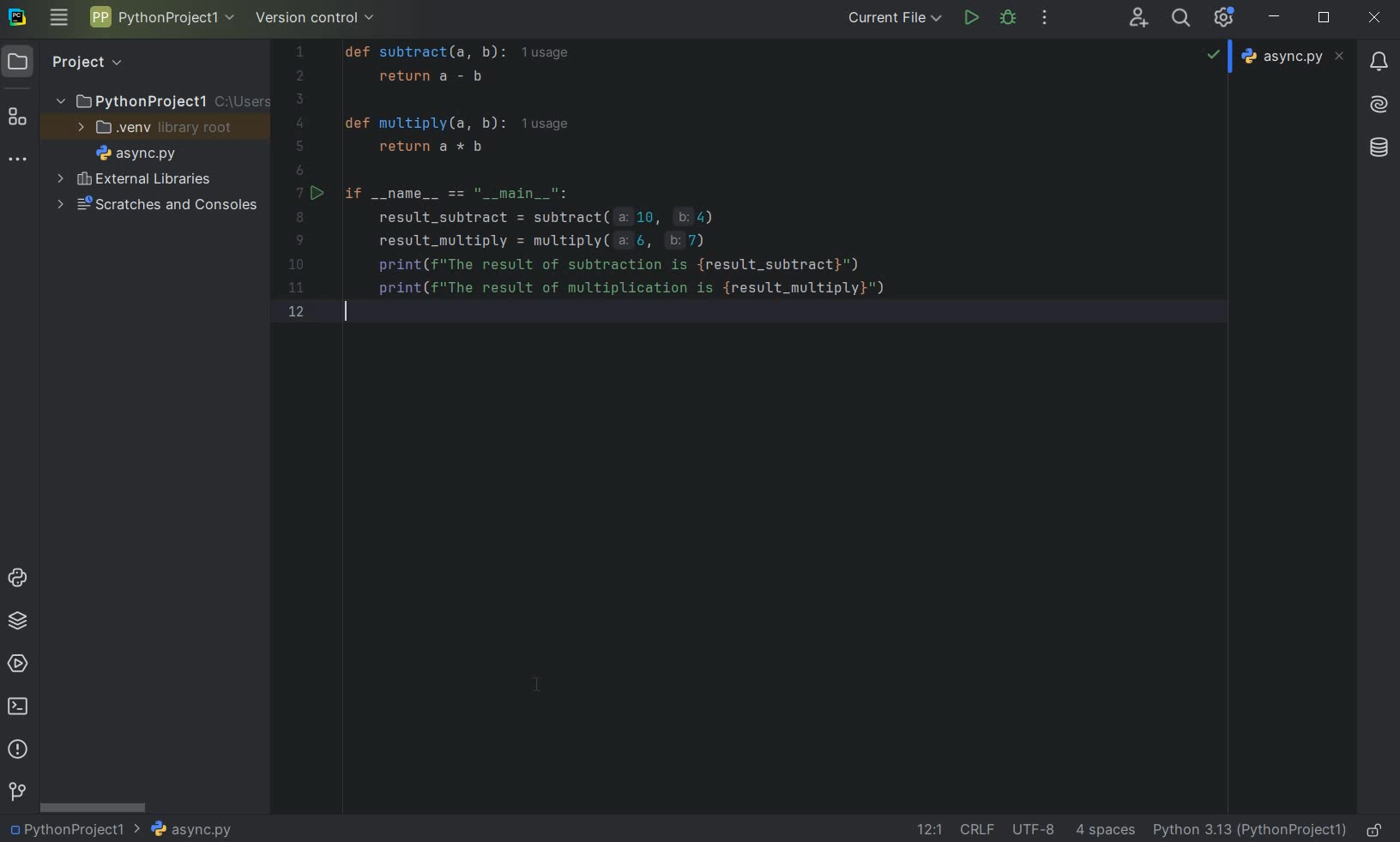 This screenshot has width=1400, height=842. Describe the element at coordinates (316, 17) in the screenshot. I see `version control` at that location.